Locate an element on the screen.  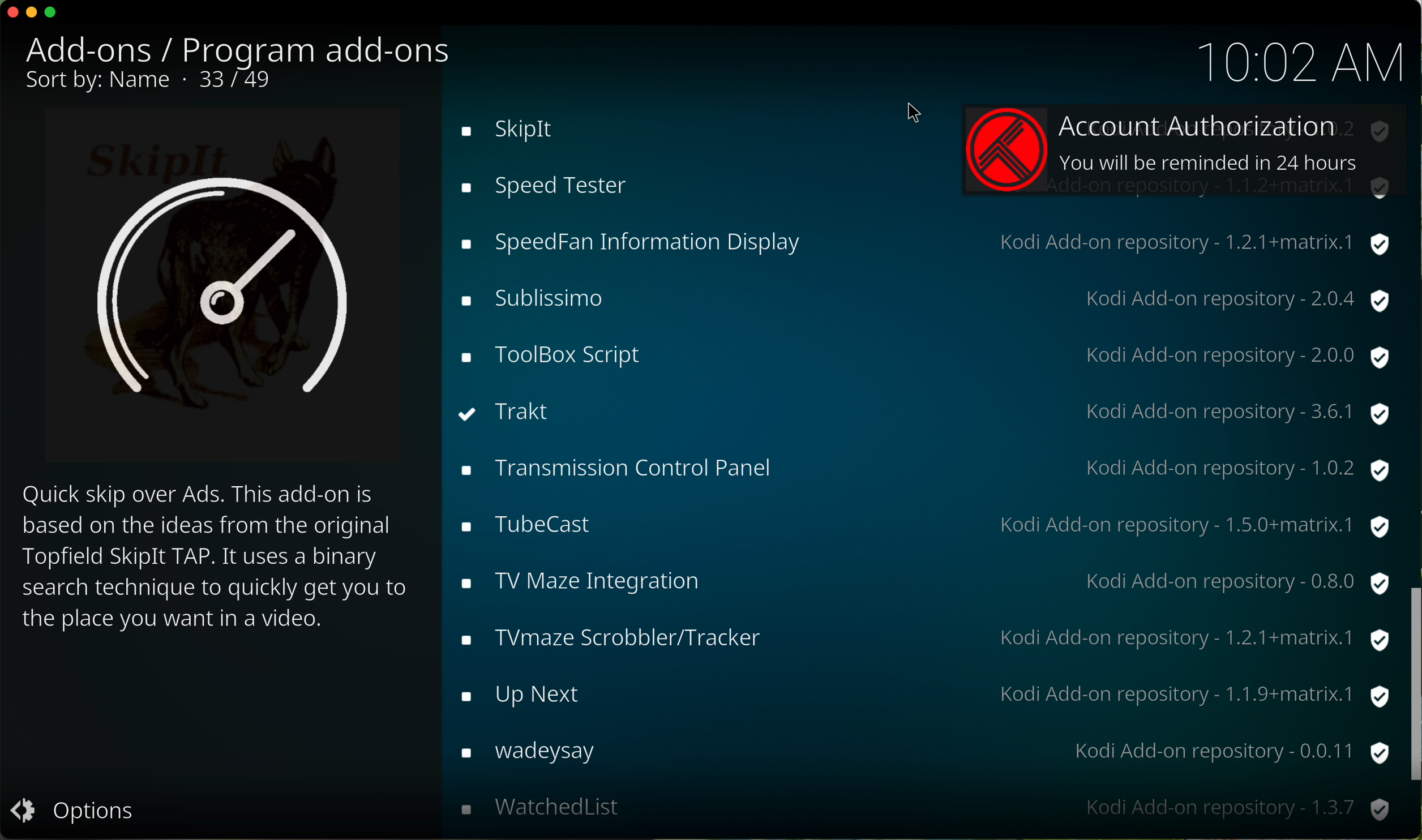
description is located at coordinates (213, 559).